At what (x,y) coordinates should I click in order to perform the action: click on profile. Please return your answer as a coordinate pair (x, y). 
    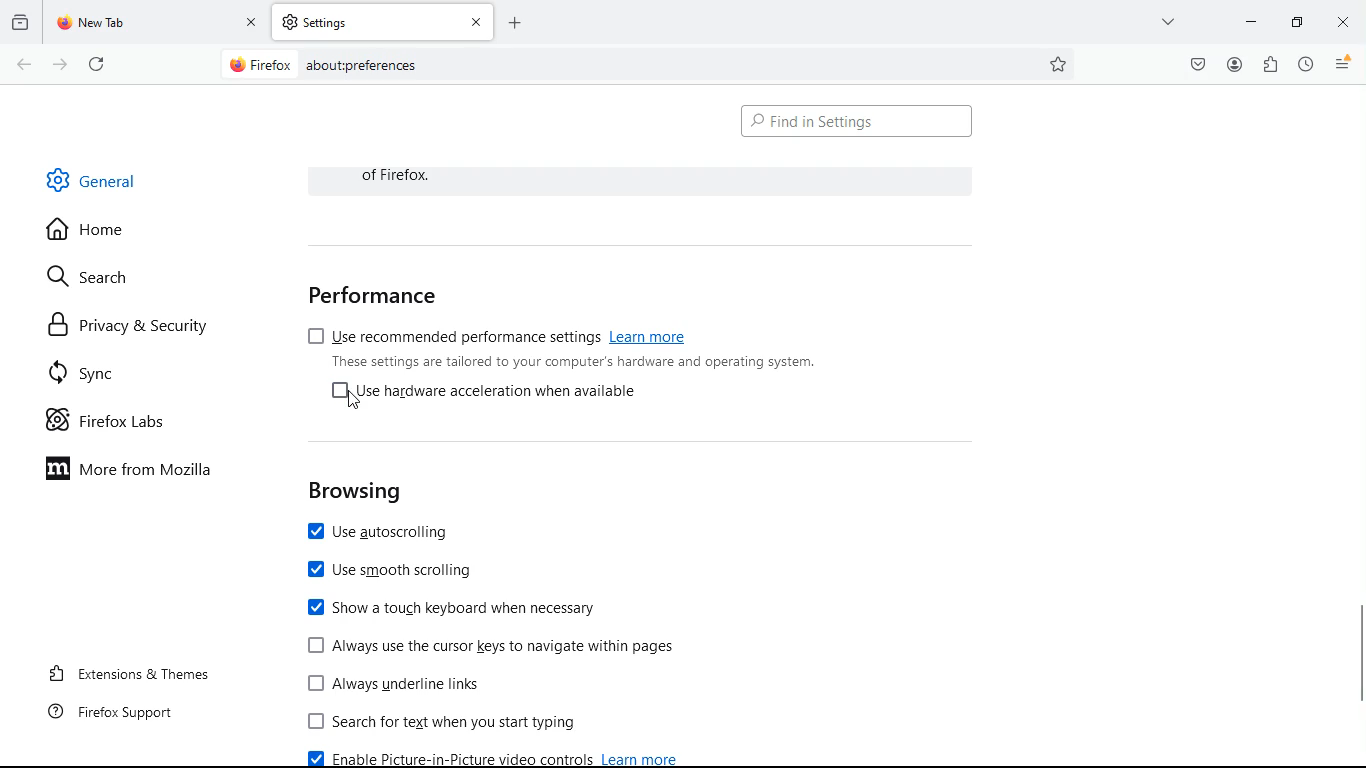
    Looking at the image, I should click on (1234, 64).